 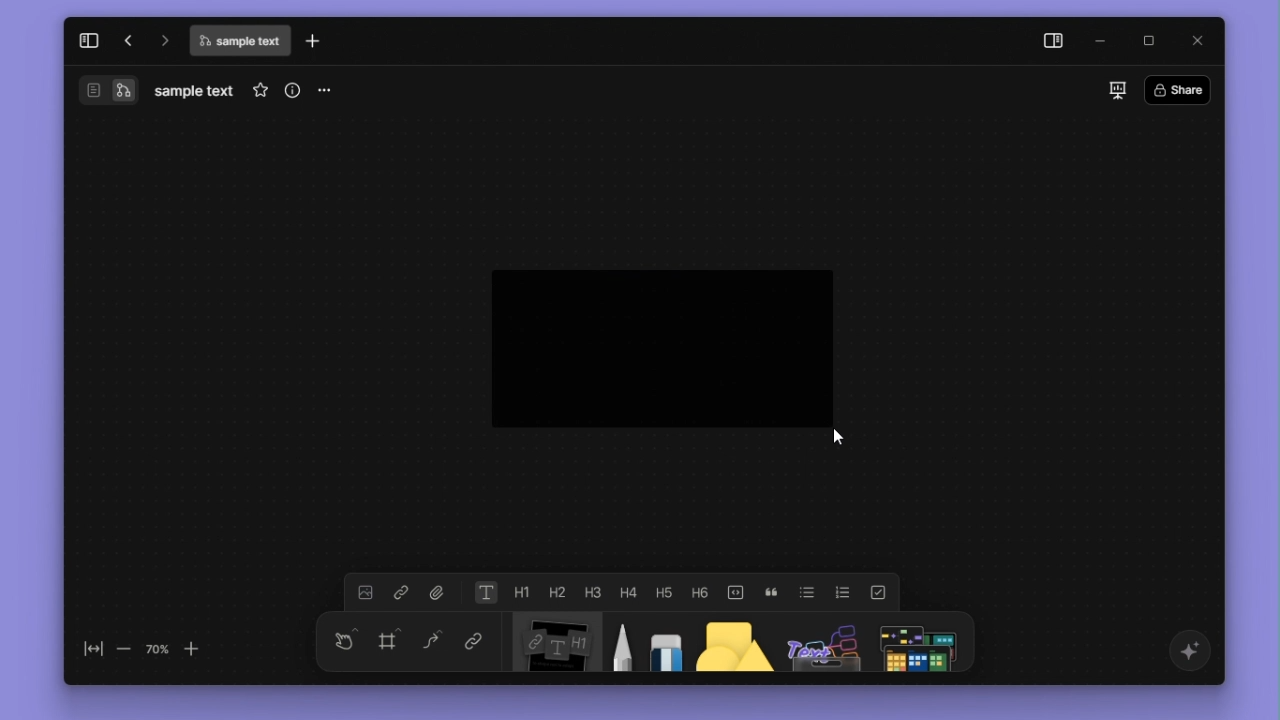 What do you see at coordinates (390, 641) in the screenshot?
I see `frame f` at bounding box center [390, 641].